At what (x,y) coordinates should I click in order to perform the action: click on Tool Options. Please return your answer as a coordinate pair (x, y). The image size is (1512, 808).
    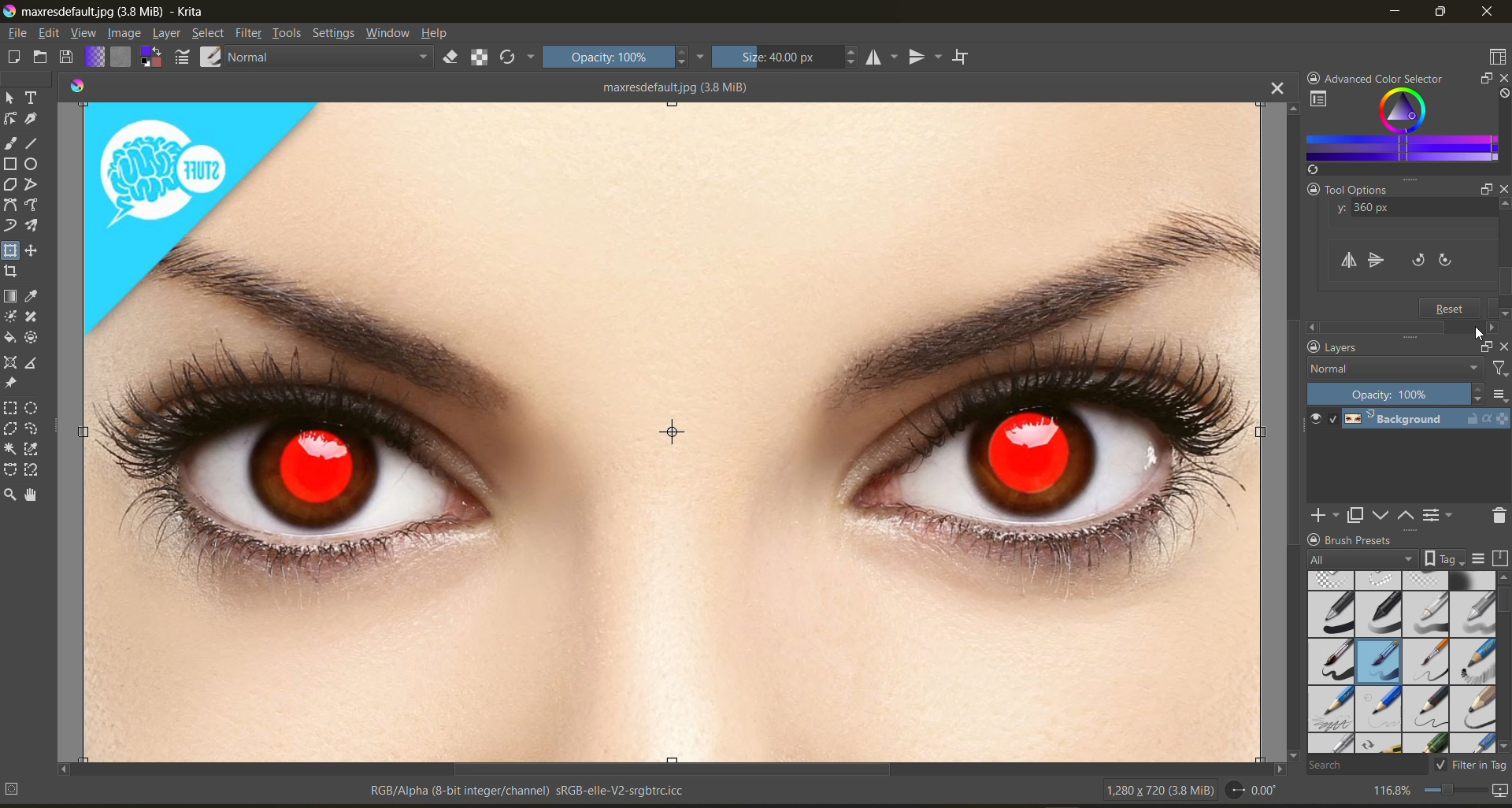
    Looking at the image, I should click on (1348, 189).